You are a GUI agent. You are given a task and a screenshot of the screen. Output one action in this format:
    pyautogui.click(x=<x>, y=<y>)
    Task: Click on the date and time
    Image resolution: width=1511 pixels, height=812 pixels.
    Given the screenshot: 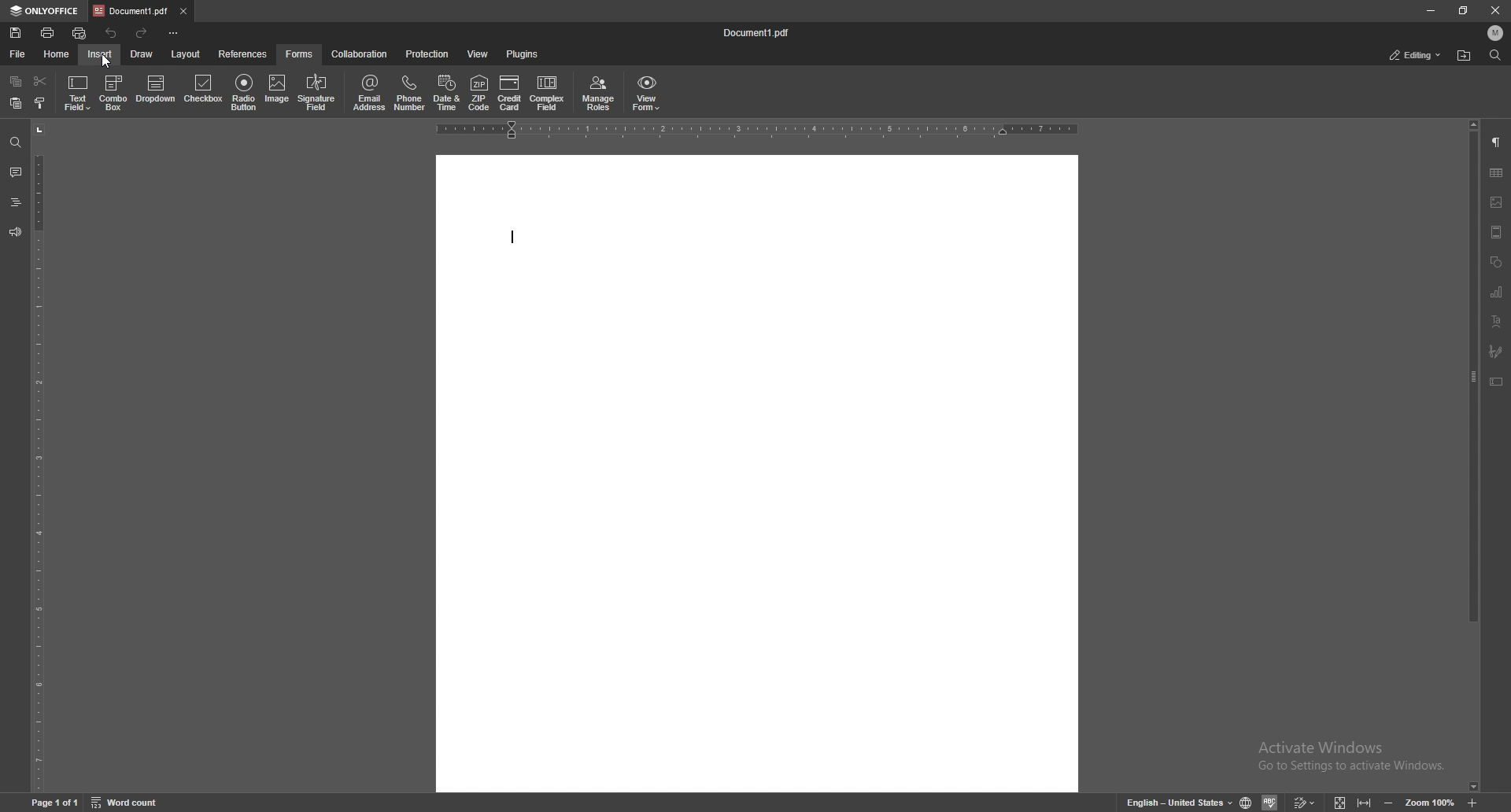 What is the action you would take?
    pyautogui.click(x=447, y=92)
    